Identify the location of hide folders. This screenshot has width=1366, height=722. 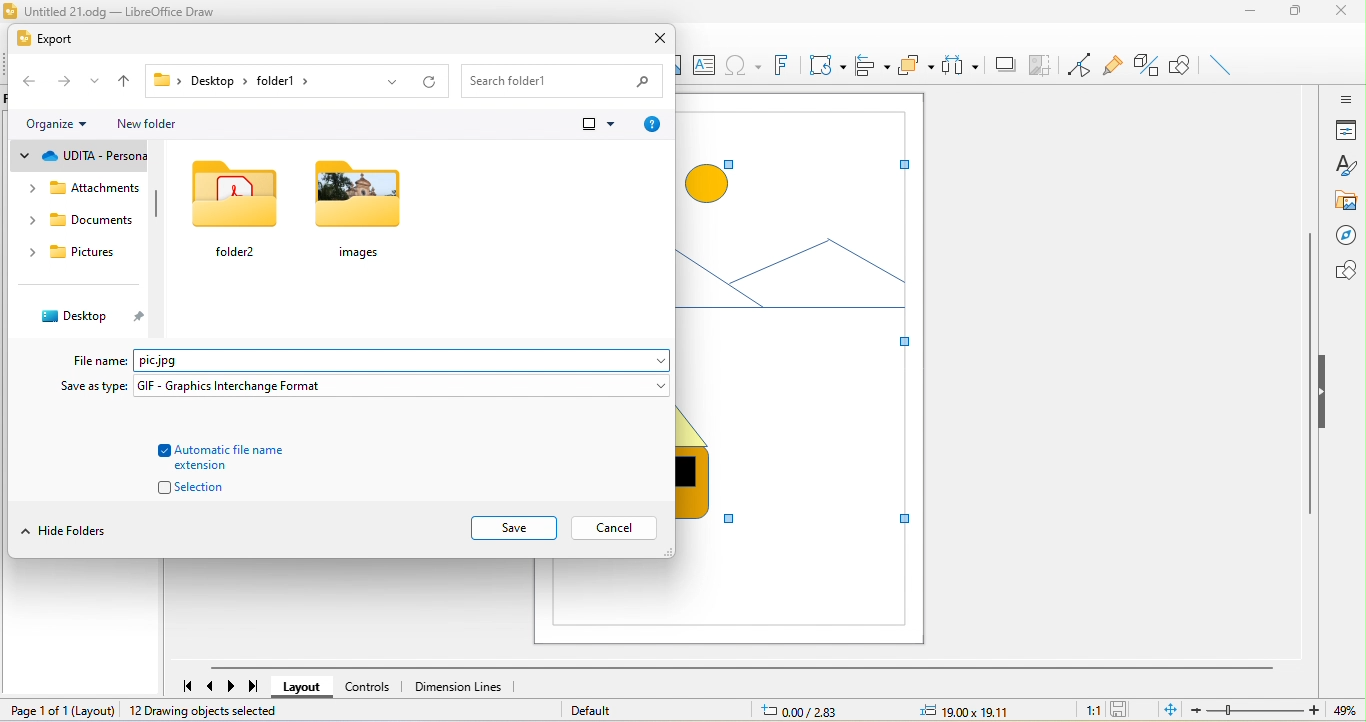
(71, 530).